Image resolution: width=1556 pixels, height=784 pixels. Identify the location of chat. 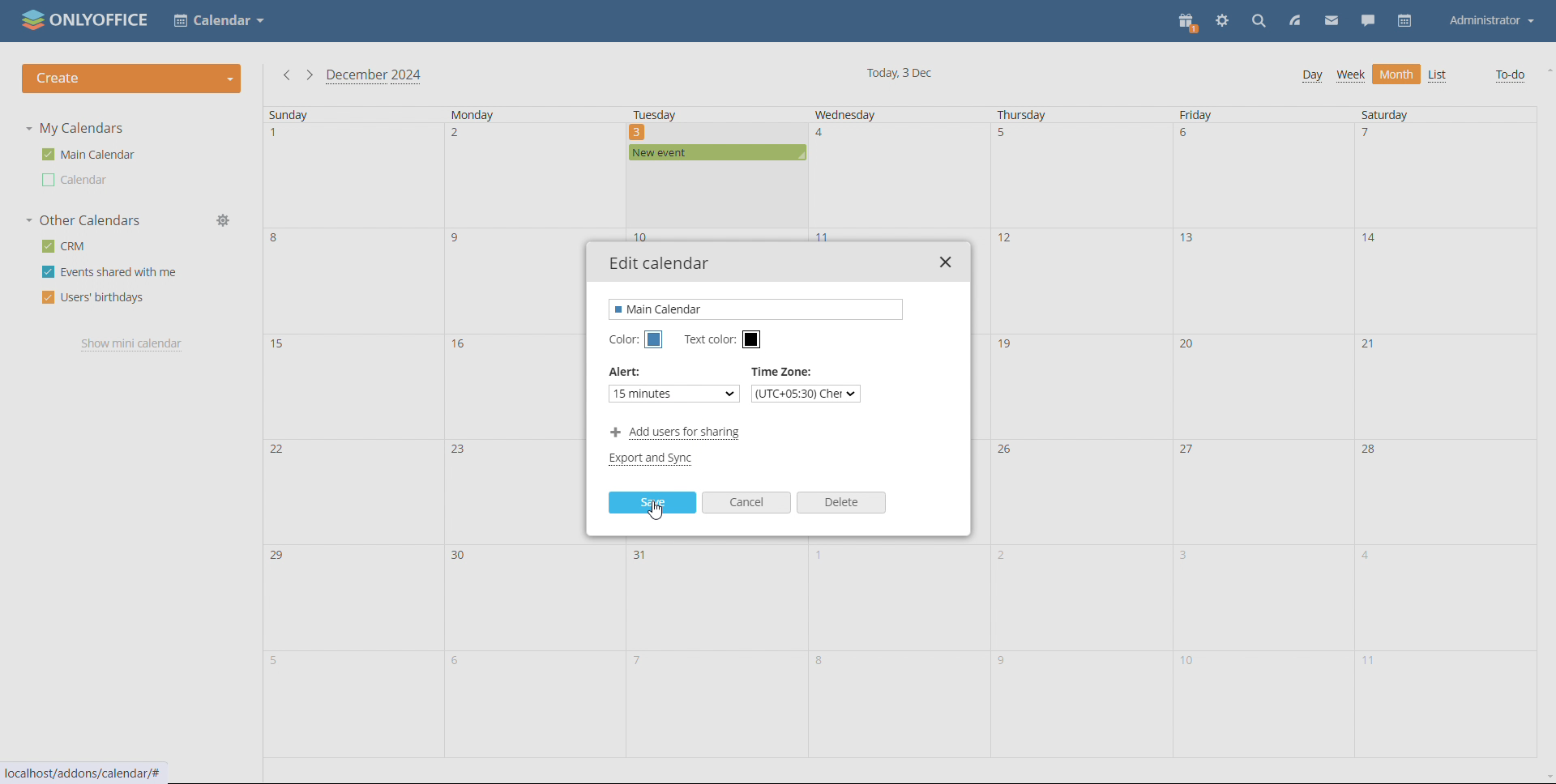
(1368, 22).